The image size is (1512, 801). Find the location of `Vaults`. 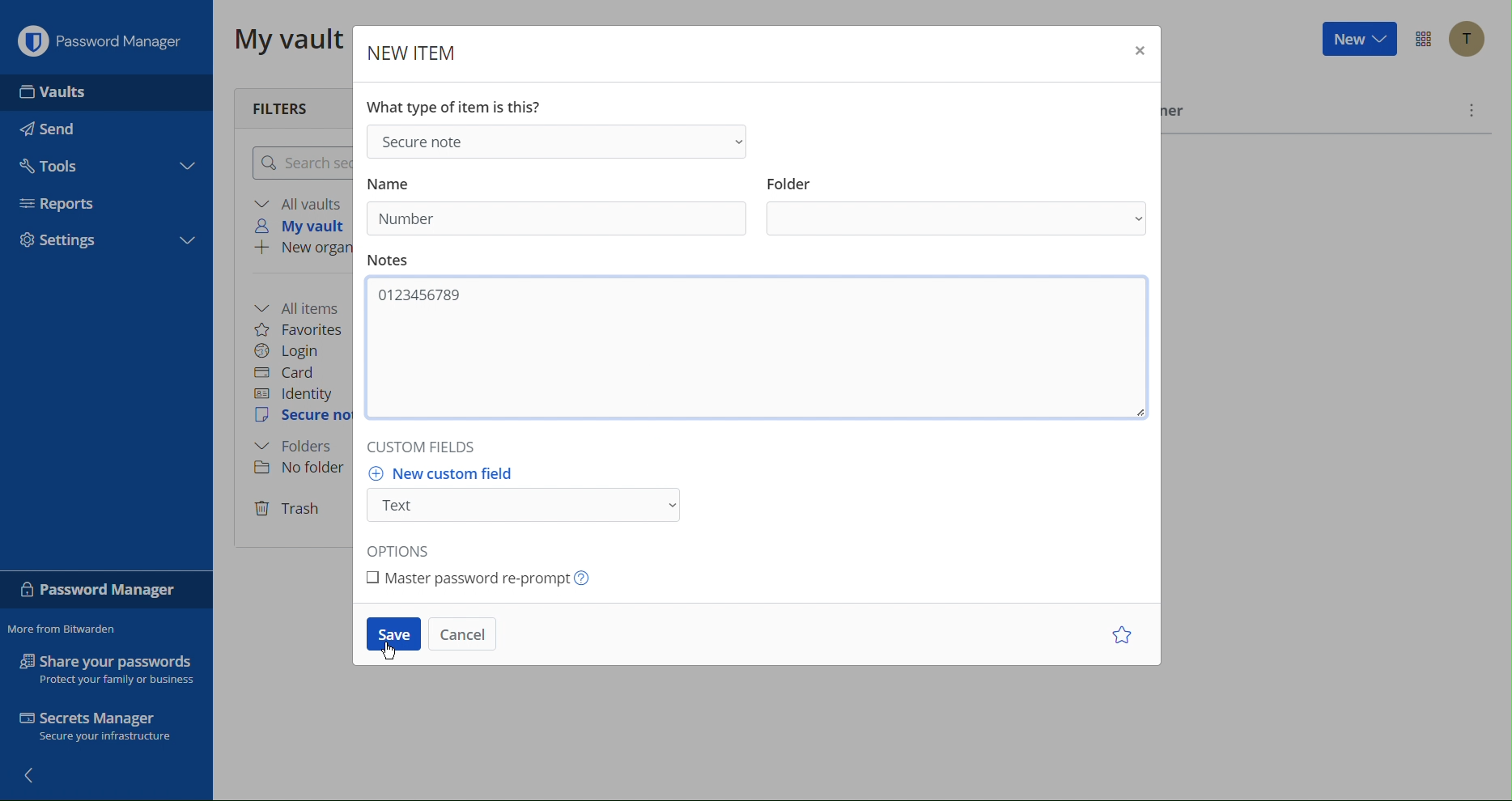

Vaults is located at coordinates (55, 91).